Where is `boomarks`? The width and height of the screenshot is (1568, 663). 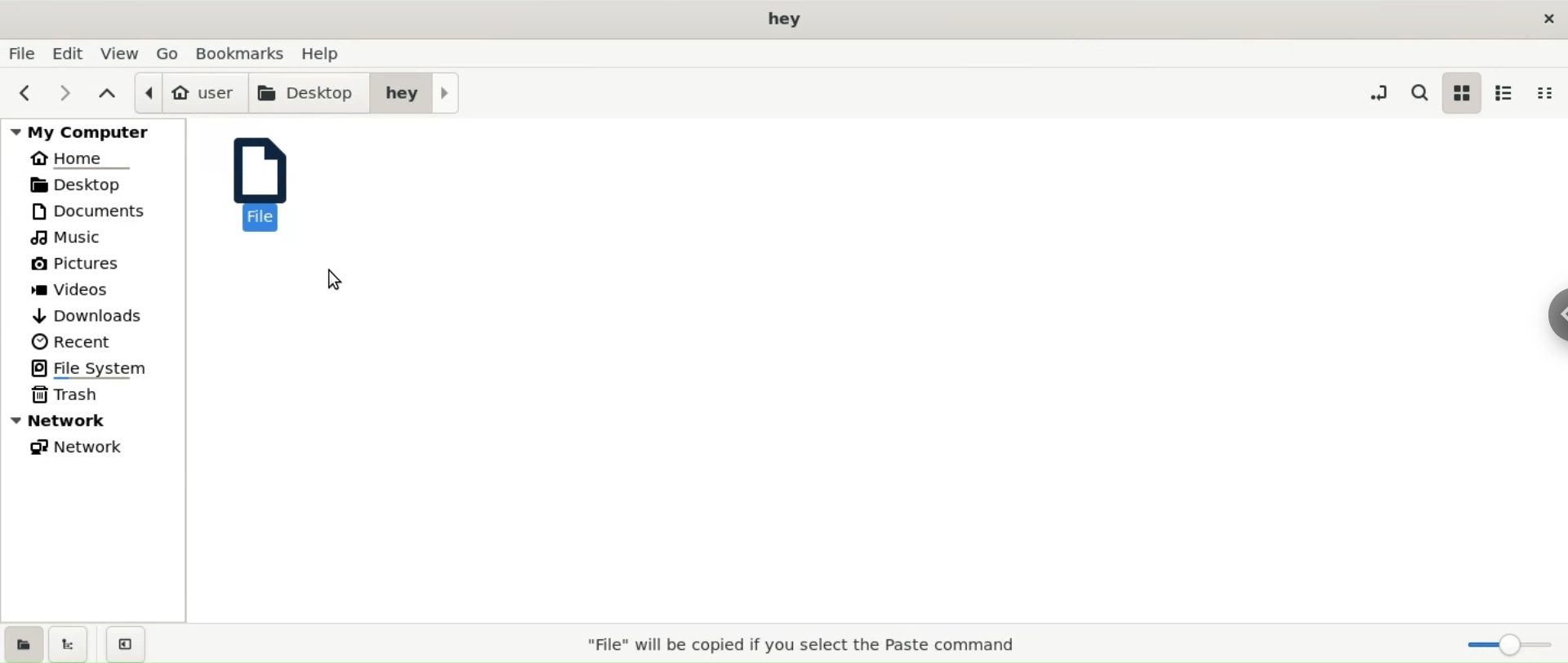 boomarks is located at coordinates (246, 53).